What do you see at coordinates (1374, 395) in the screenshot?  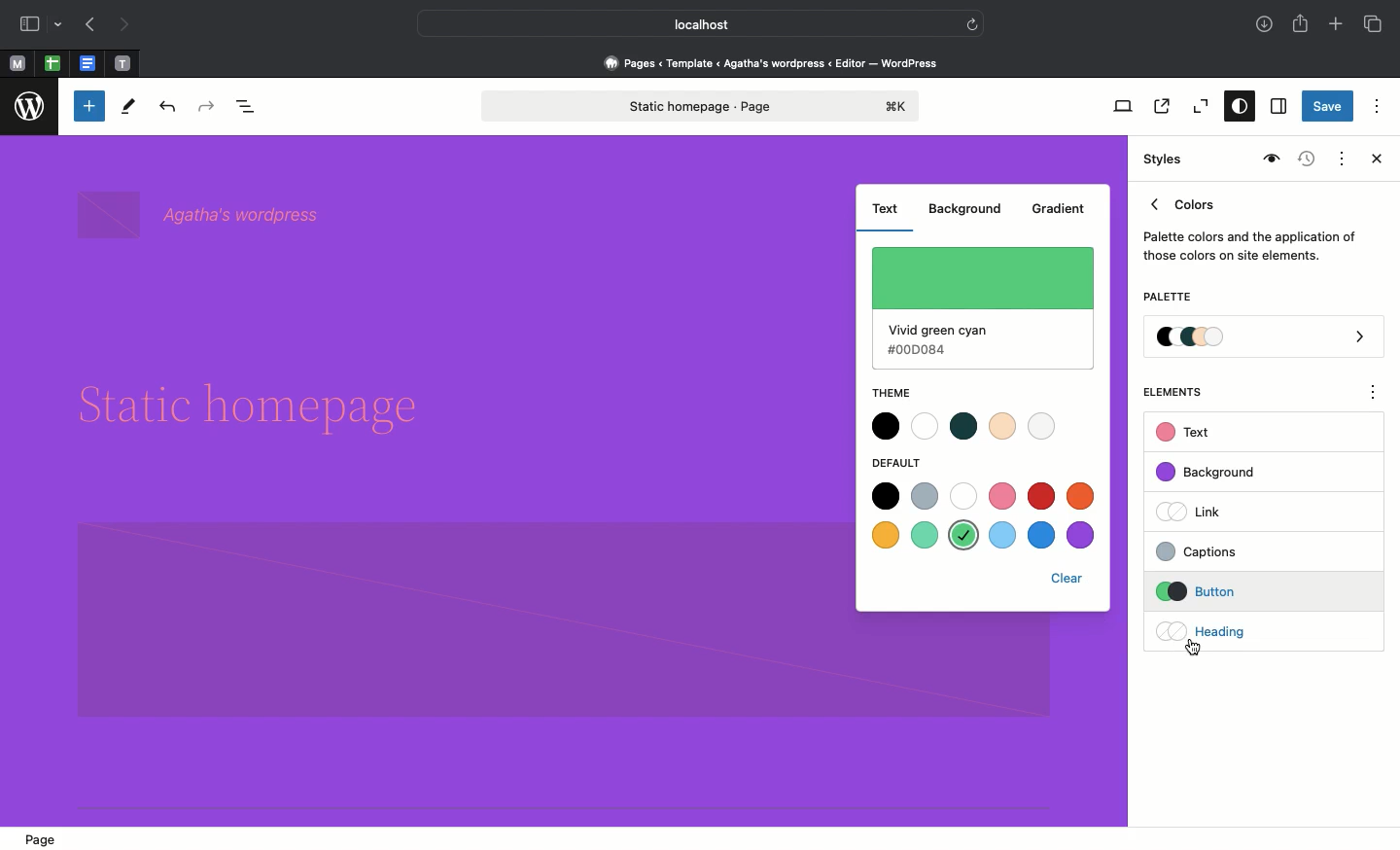 I see `options` at bounding box center [1374, 395].